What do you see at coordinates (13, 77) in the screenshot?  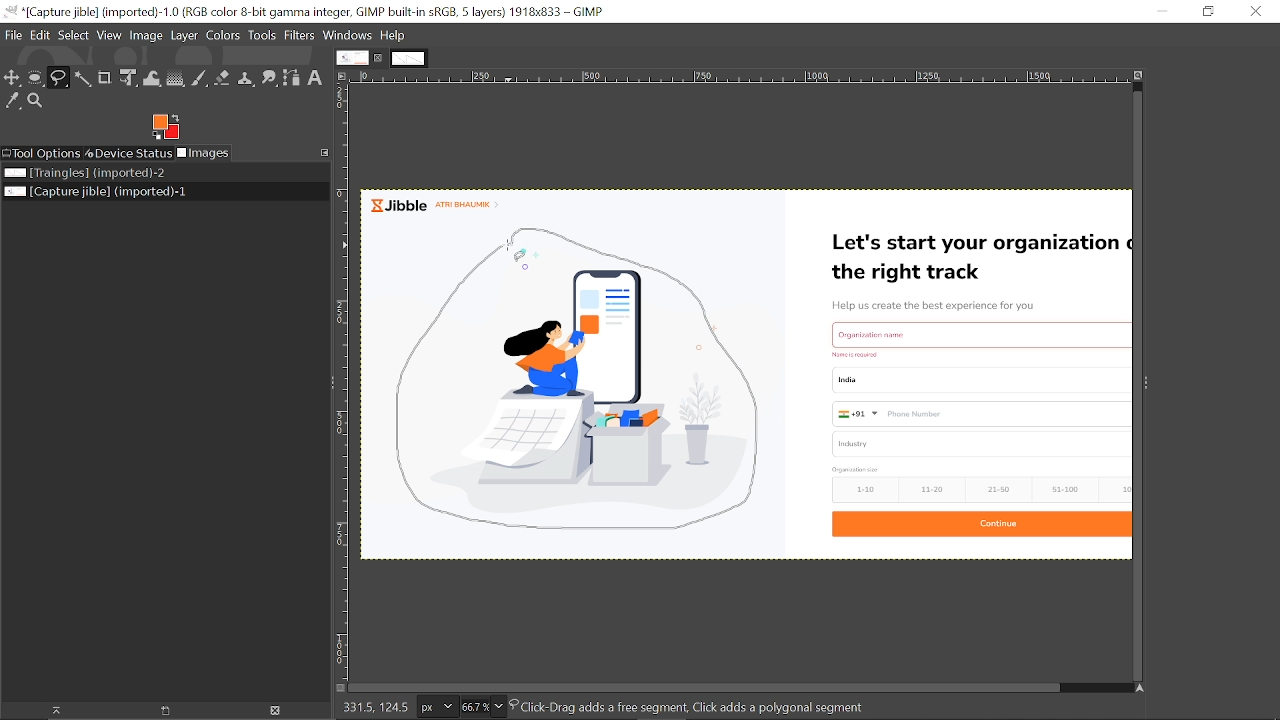 I see `Move tool` at bounding box center [13, 77].